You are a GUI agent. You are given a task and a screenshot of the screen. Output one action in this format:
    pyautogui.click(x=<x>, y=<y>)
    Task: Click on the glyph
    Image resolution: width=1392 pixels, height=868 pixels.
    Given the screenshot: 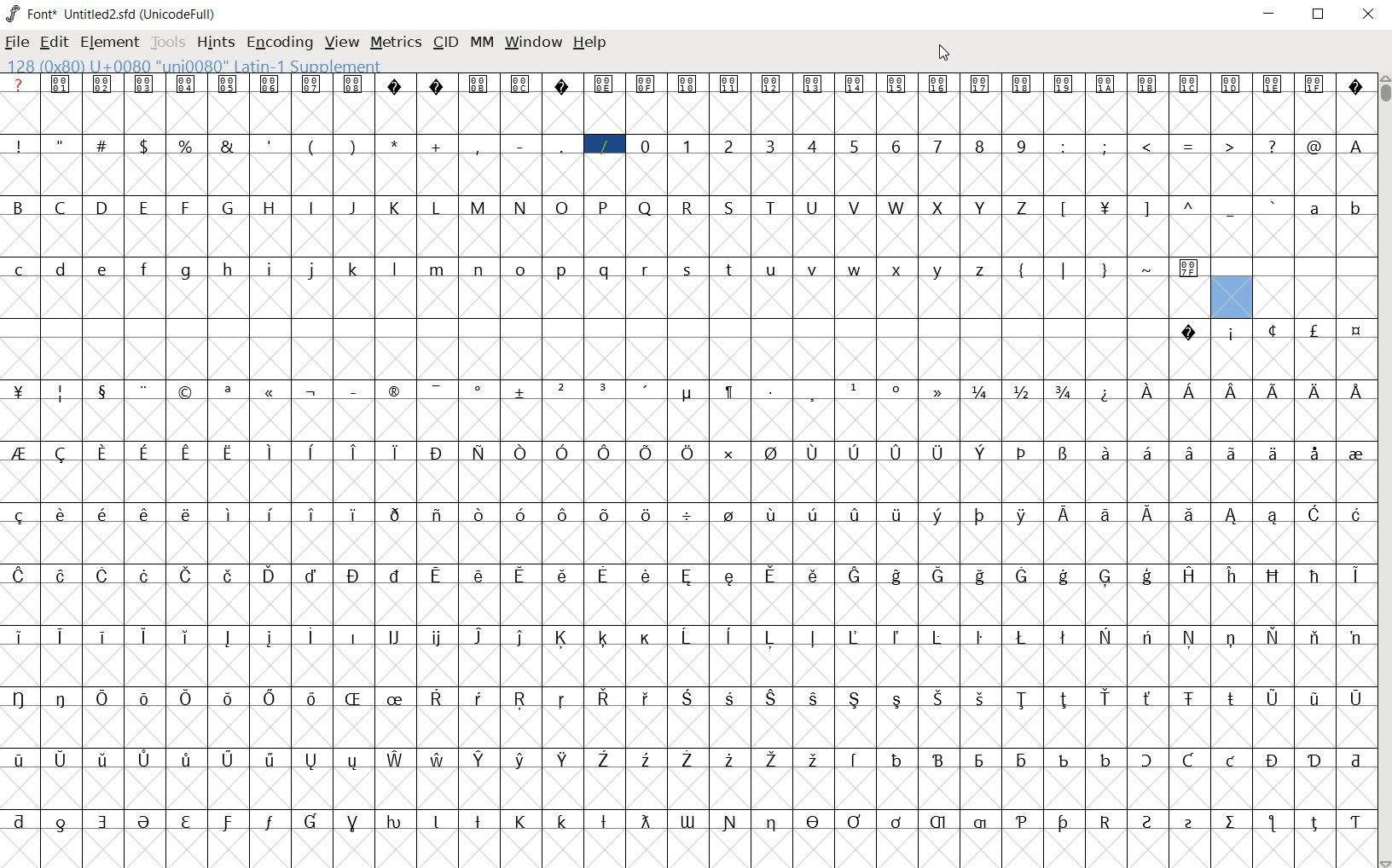 What is the action you would take?
    pyautogui.click(x=269, y=638)
    